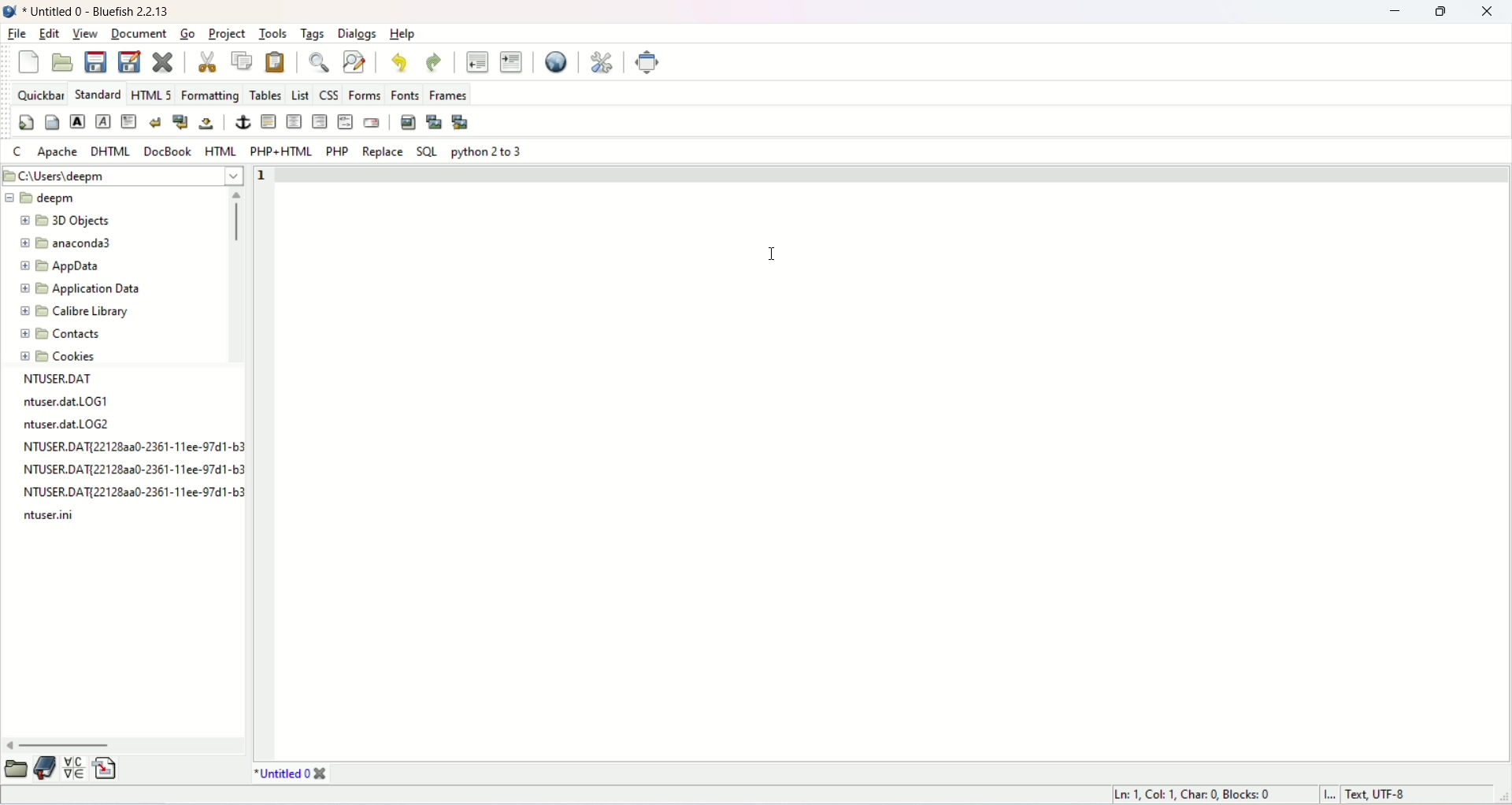 Image resolution: width=1512 pixels, height=805 pixels. I want to click on unindent, so click(476, 61).